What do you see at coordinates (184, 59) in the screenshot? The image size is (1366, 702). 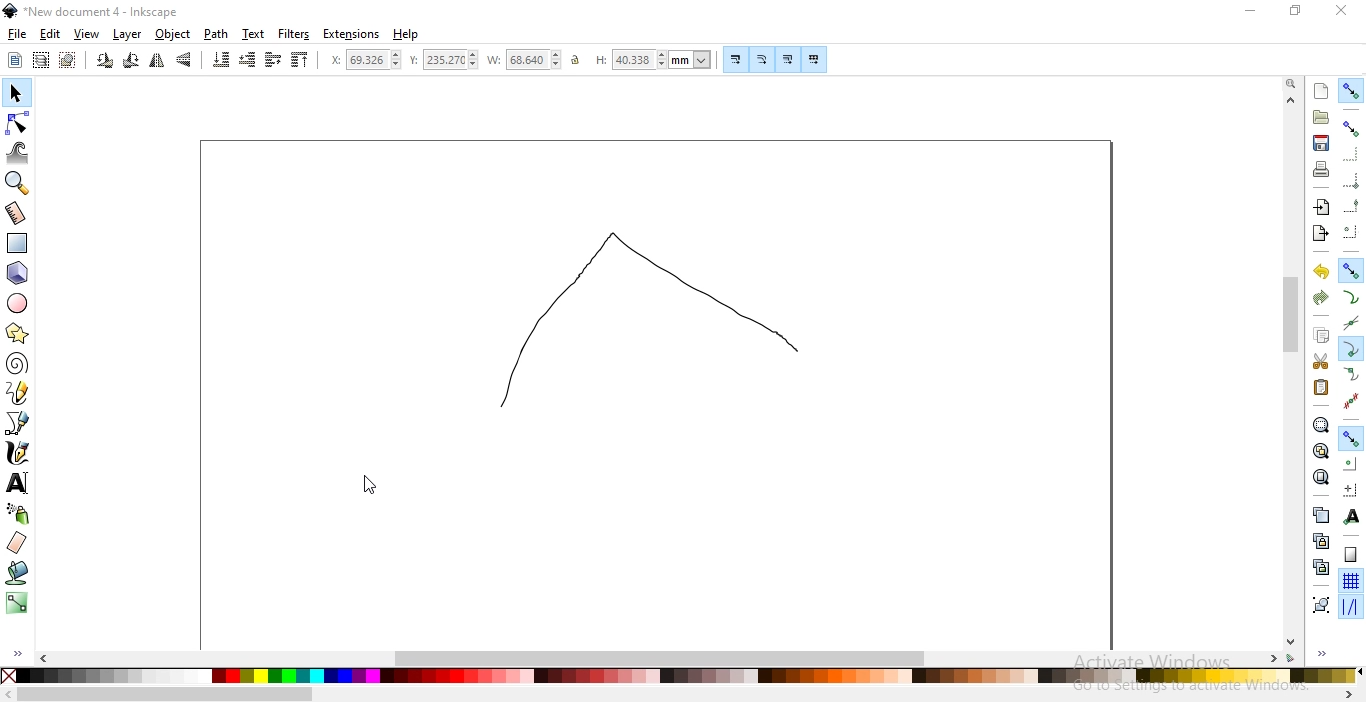 I see `flip vertically` at bounding box center [184, 59].